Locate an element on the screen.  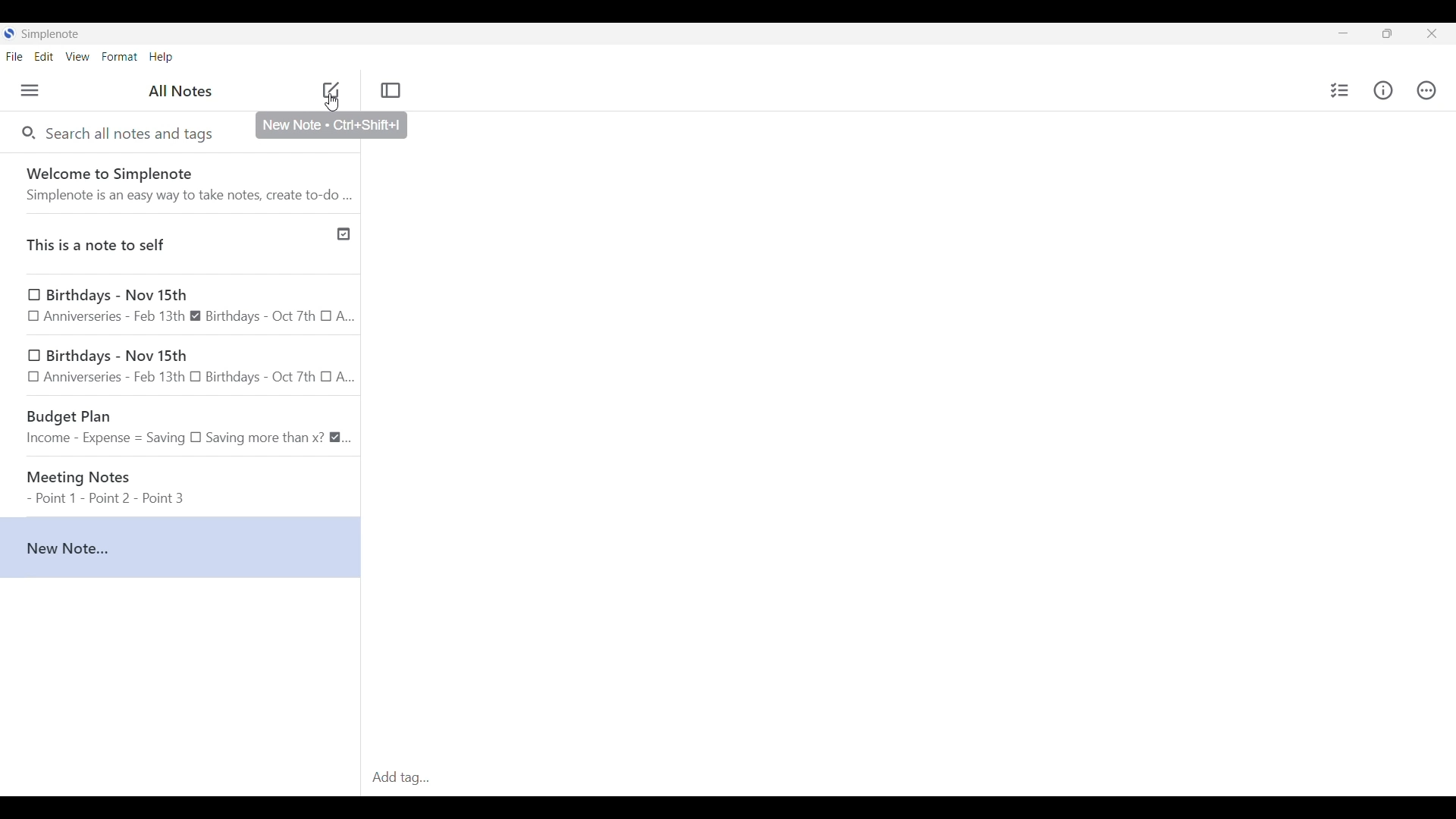
Birthdays - Nov 15th is located at coordinates (182, 366).